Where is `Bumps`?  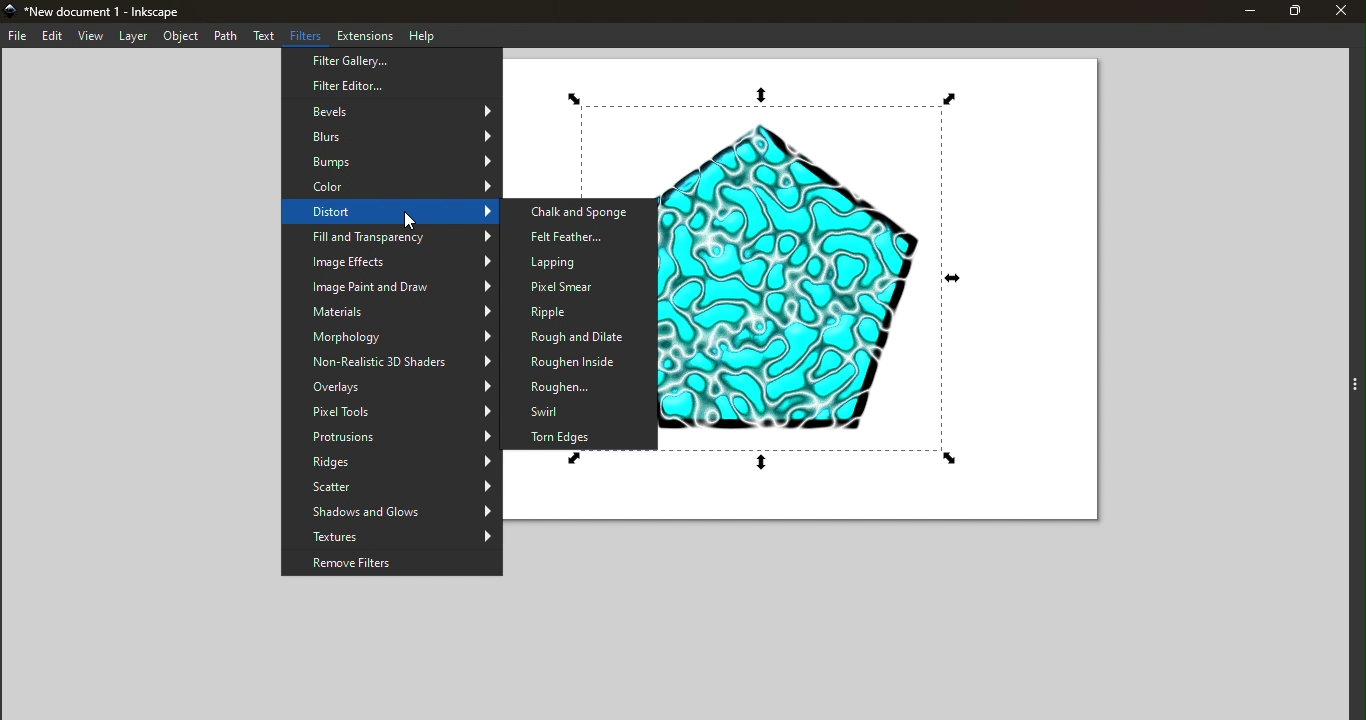
Bumps is located at coordinates (390, 161).